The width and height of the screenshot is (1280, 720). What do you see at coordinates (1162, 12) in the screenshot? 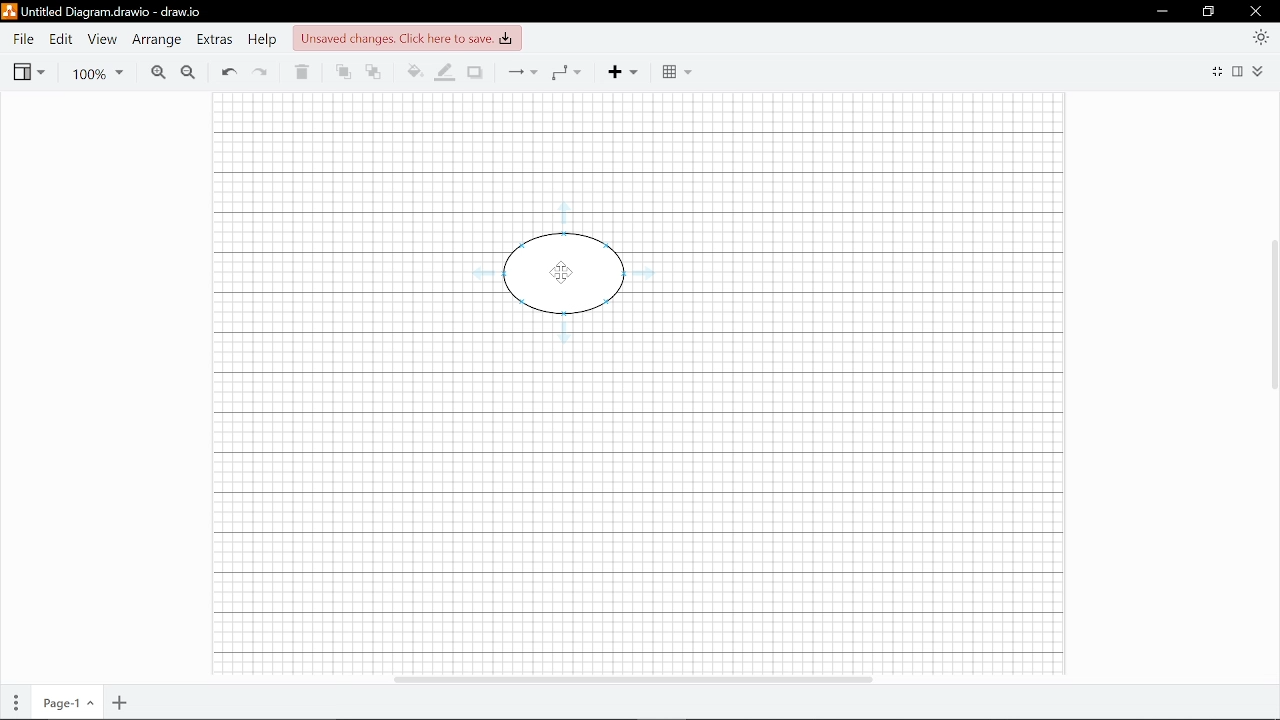
I see `Minimize` at bounding box center [1162, 12].